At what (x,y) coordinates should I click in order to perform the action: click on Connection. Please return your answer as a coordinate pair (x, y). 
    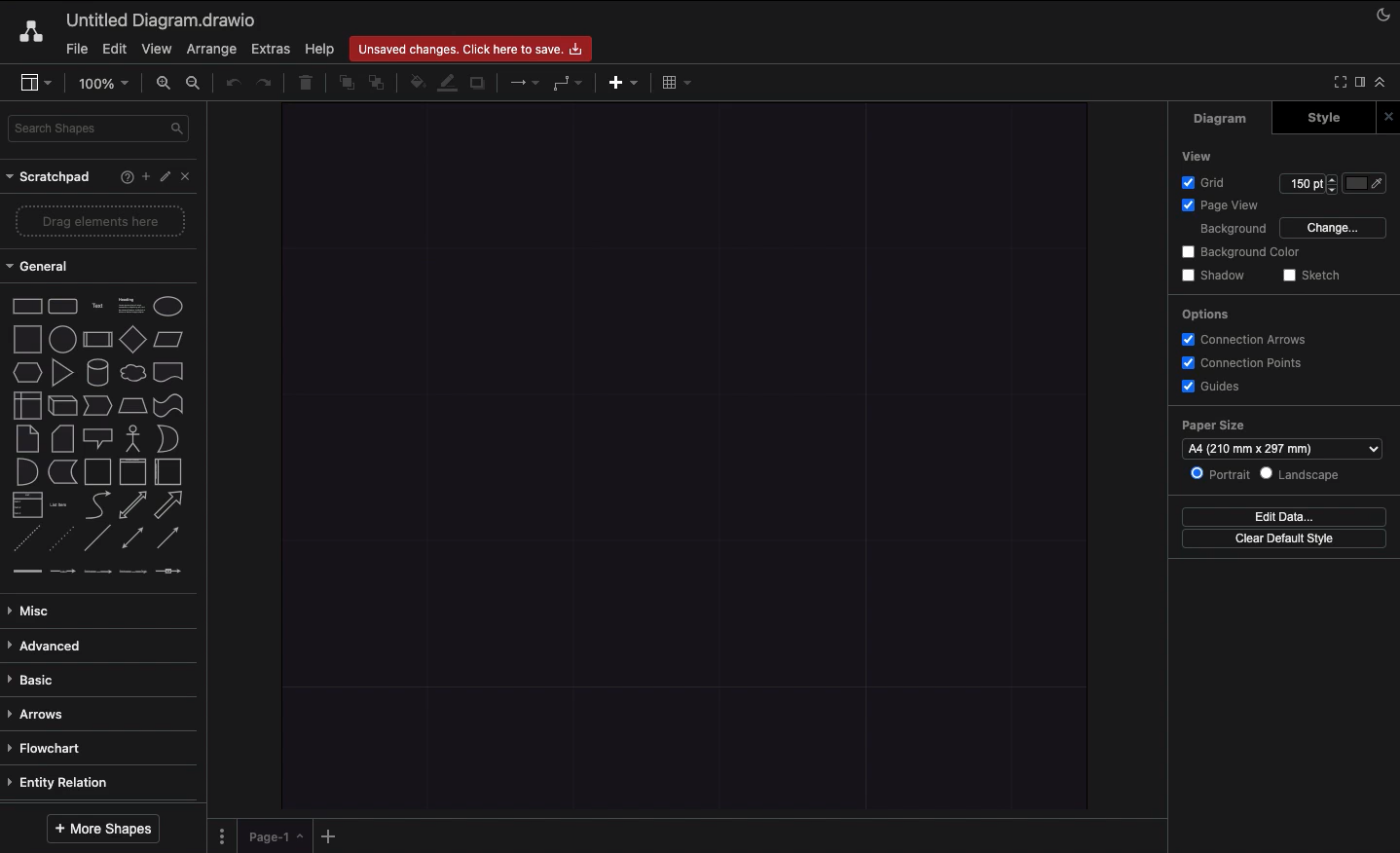
    Looking at the image, I should click on (524, 83).